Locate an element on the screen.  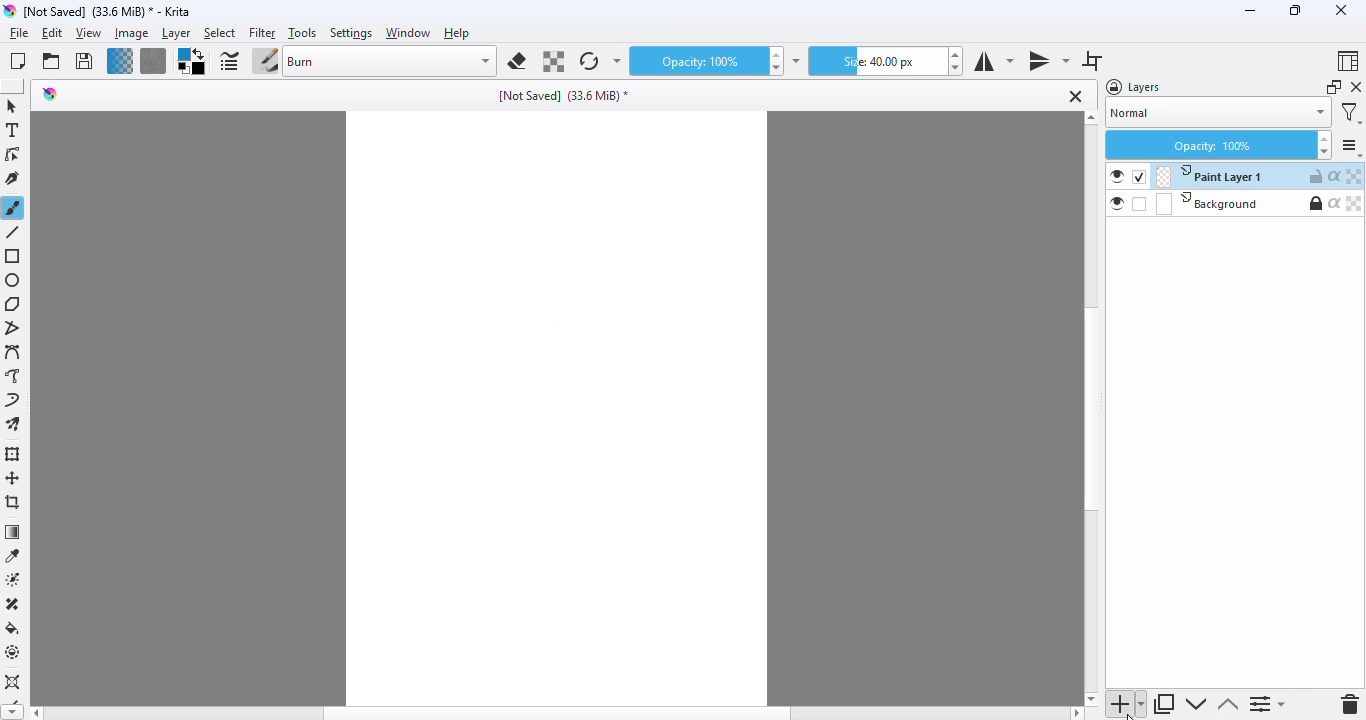
move a layer is located at coordinates (13, 478).